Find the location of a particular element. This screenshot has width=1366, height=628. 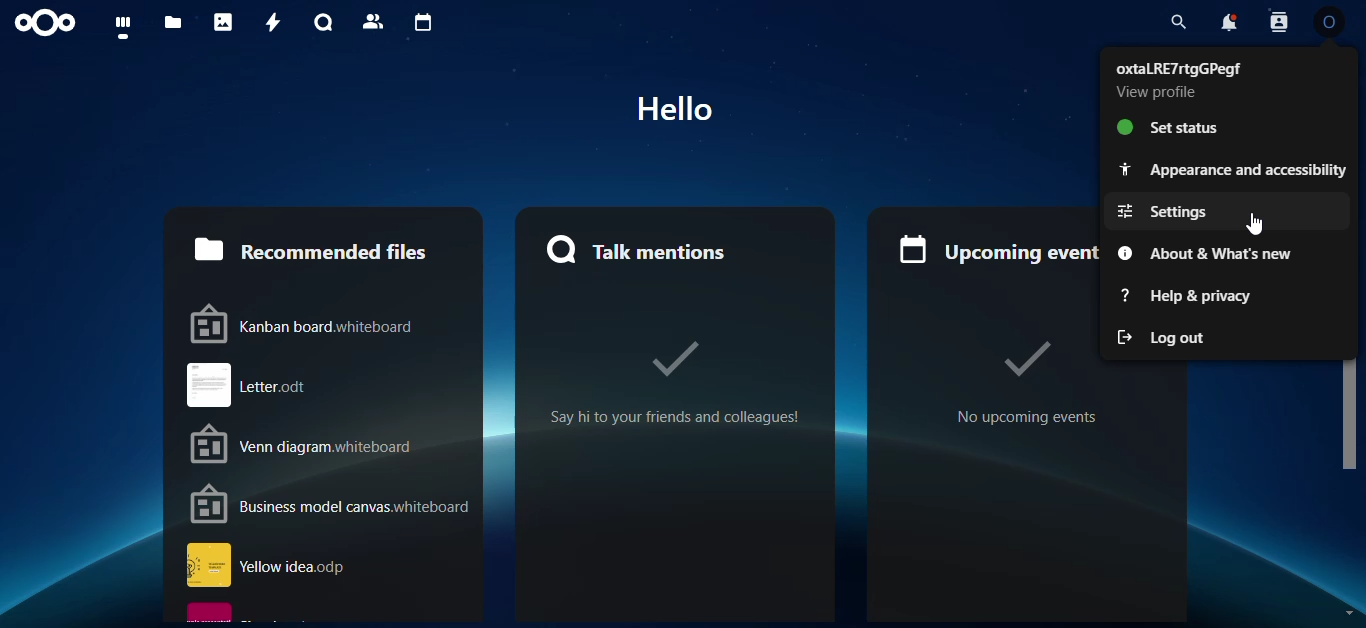

Yellow idea.odp is located at coordinates (329, 565).